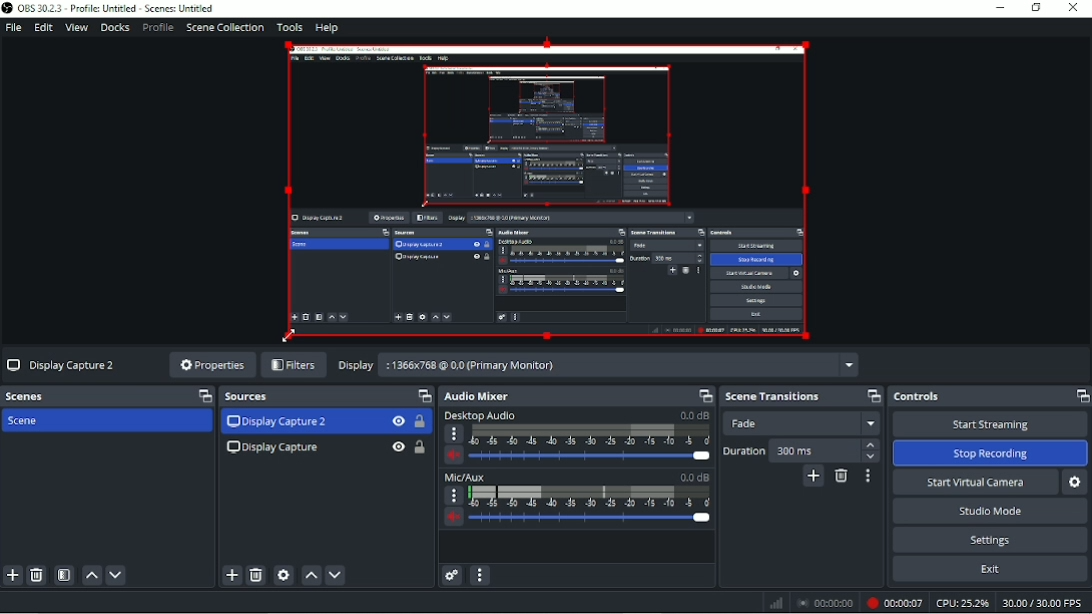  Describe the element at coordinates (424, 396) in the screenshot. I see `Maximize` at that location.